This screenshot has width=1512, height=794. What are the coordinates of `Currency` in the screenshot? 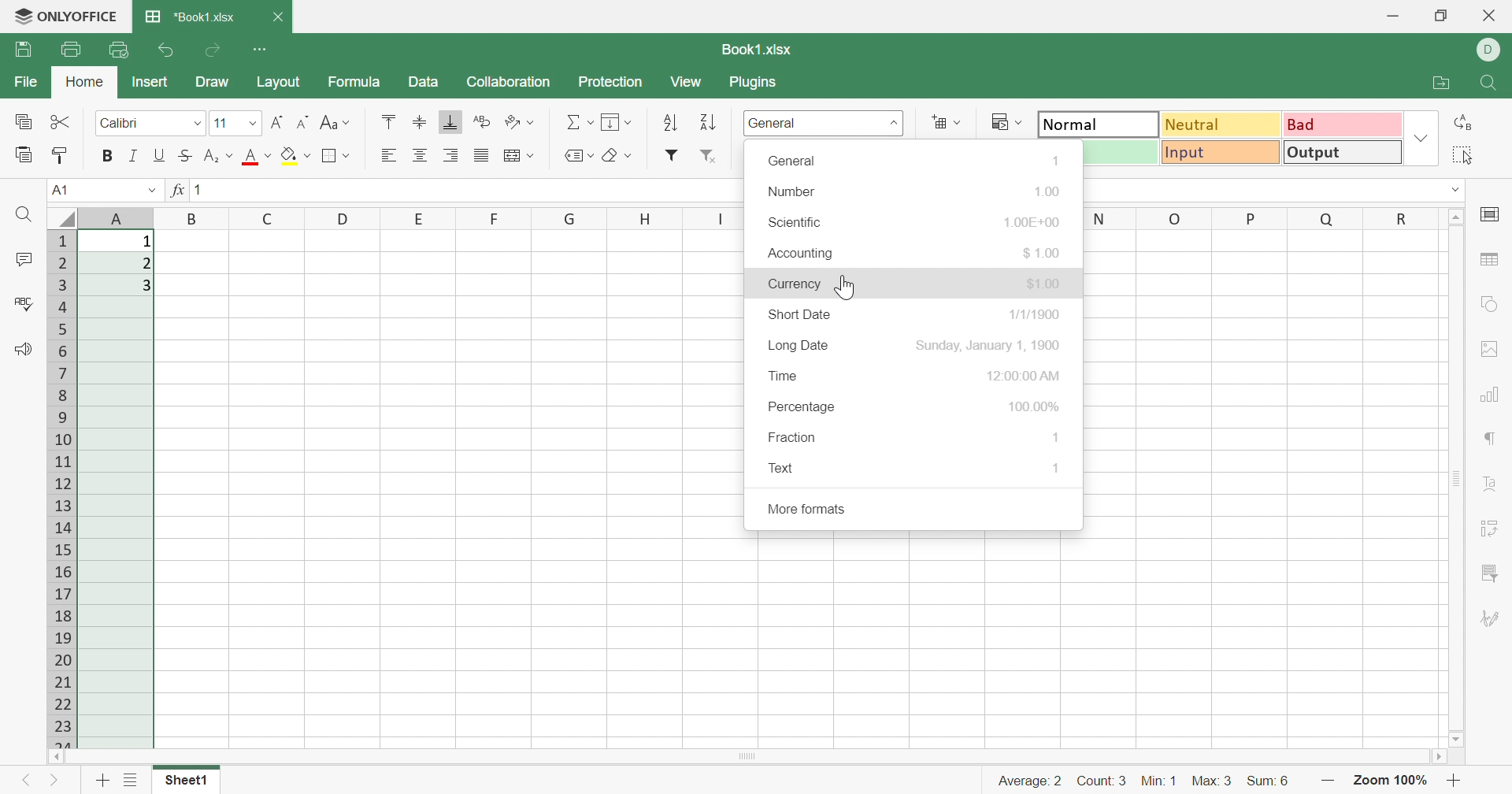 It's located at (794, 284).